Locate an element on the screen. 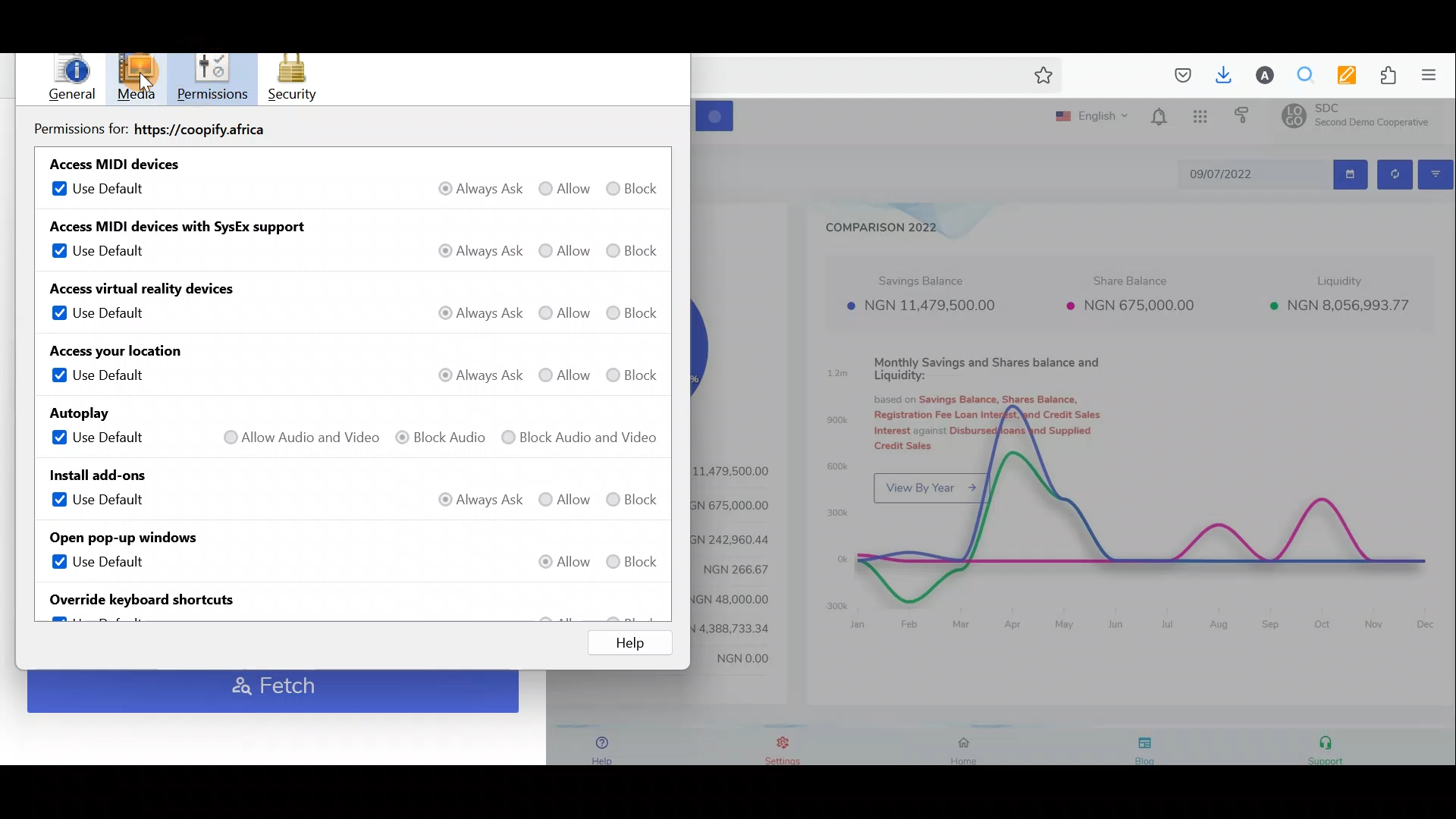 The width and height of the screenshot is (1456, 819). Use default is located at coordinates (112, 193).